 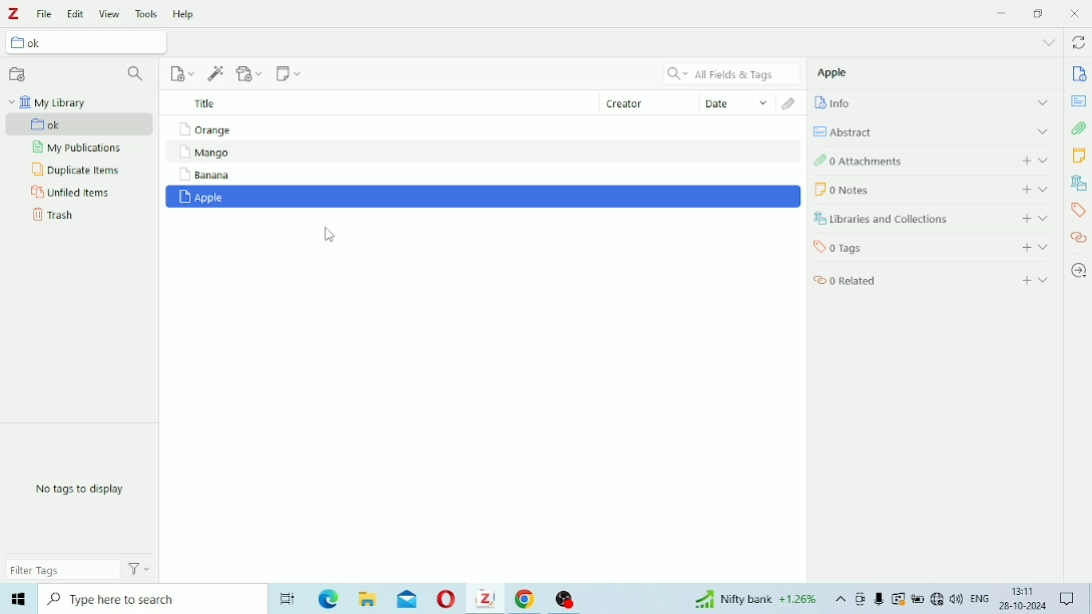 What do you see at coordinates (757, 601) in the screenshot?
I see `Chart` at bounding box center [757, 601].